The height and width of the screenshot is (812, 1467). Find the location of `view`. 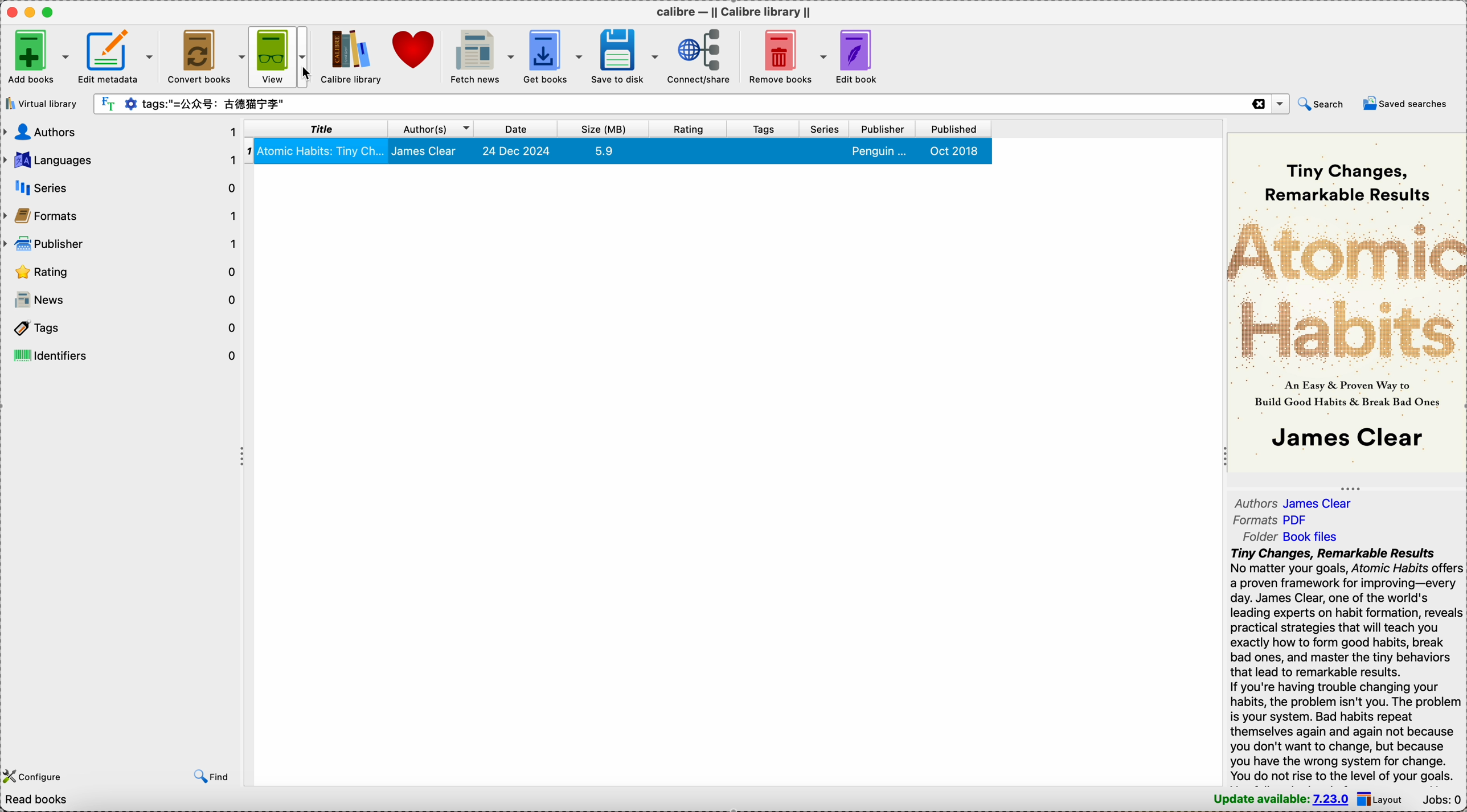

view is located at coordinates (274, 56).